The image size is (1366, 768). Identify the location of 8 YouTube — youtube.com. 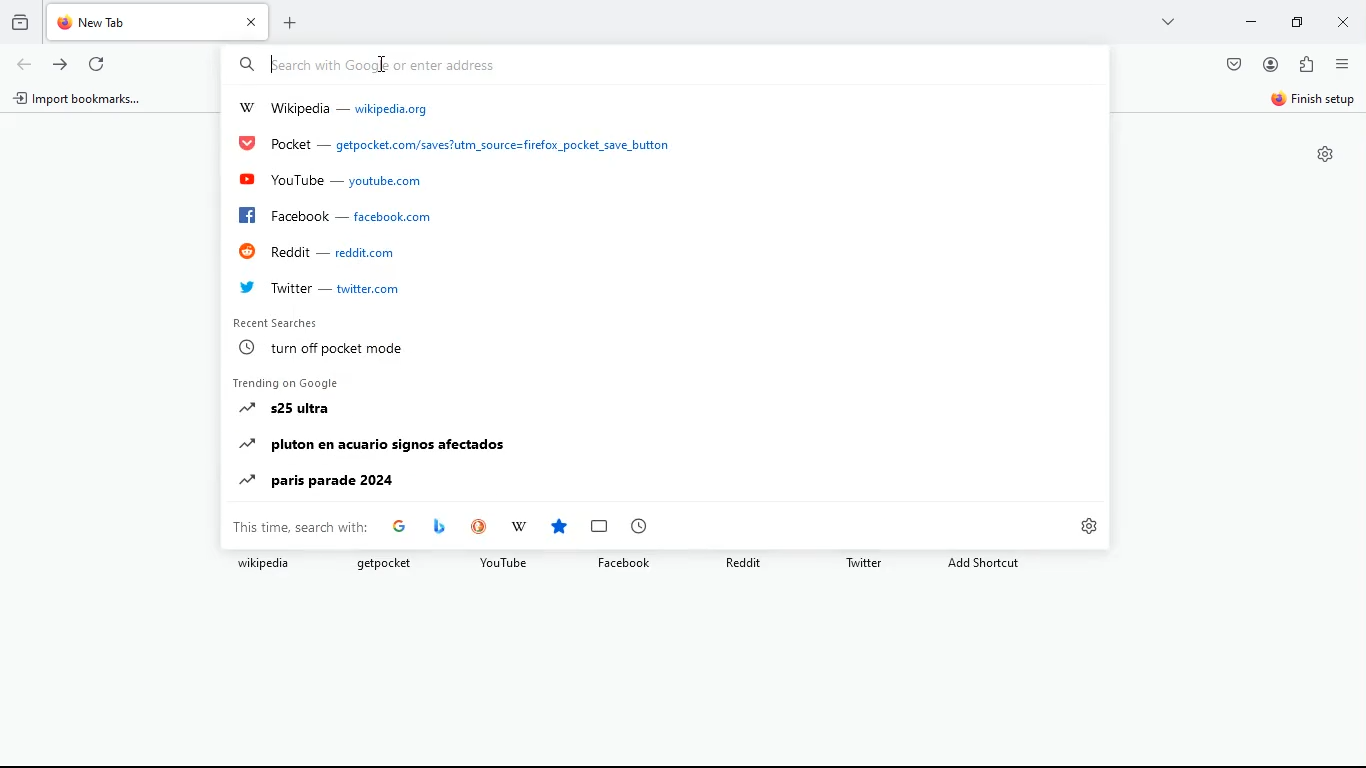
(331, 180).